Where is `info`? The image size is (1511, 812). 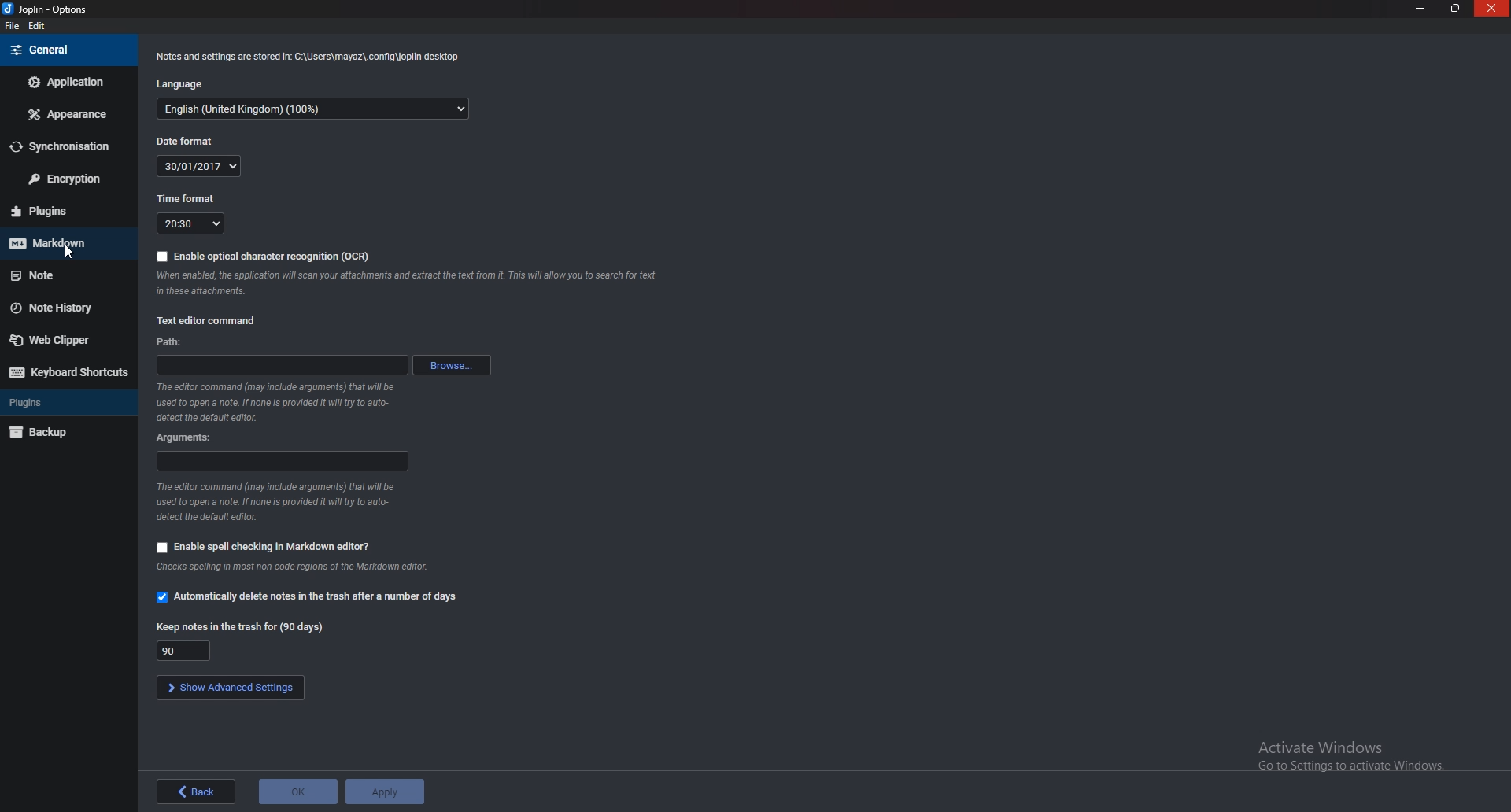 info is located at coordinates (313, 56).